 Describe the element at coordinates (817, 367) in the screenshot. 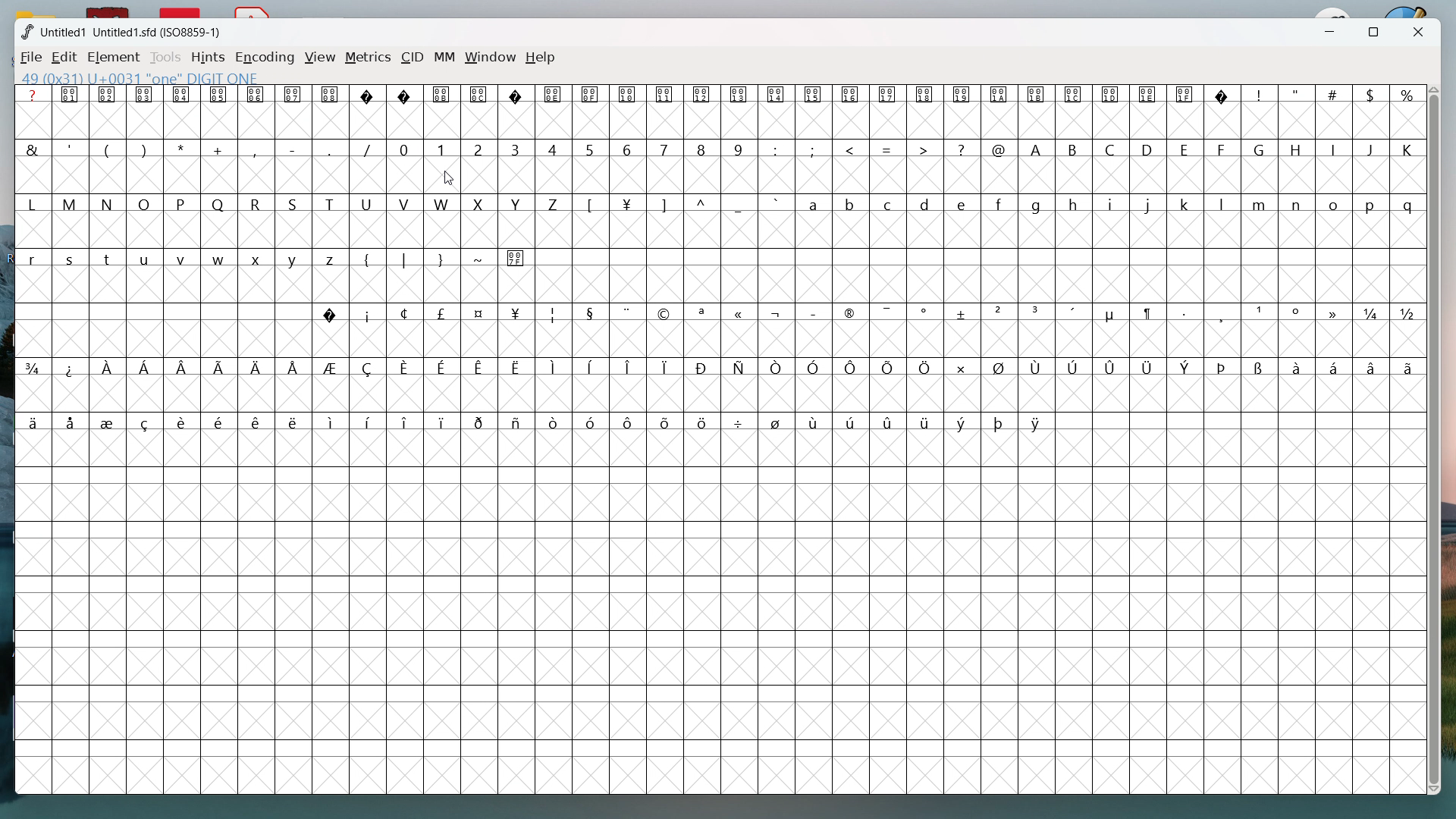

I see `symbol` at that location.